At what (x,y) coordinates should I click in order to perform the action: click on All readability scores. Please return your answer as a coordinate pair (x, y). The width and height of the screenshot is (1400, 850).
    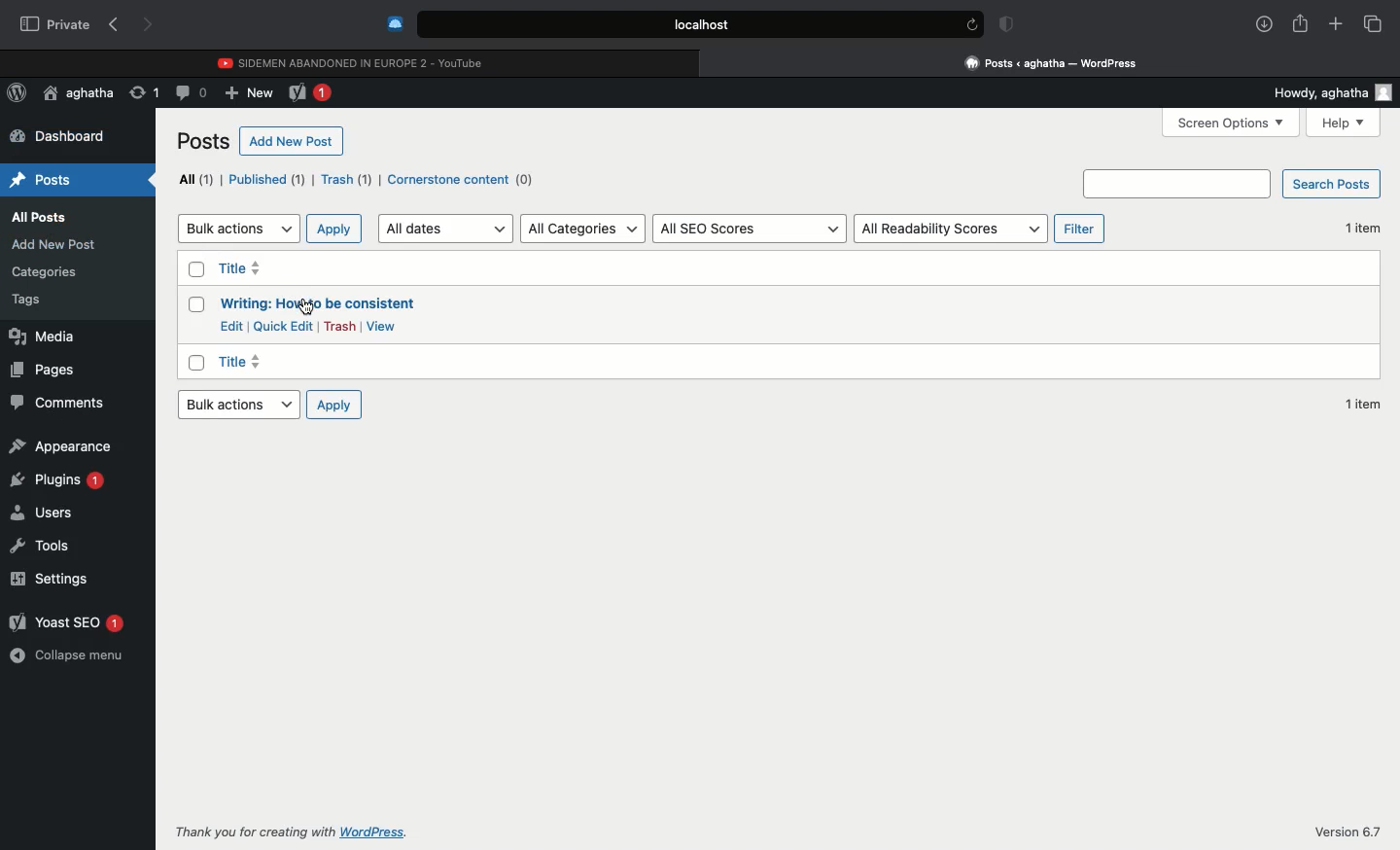
    Looking at the image, I should click on (952, 227).